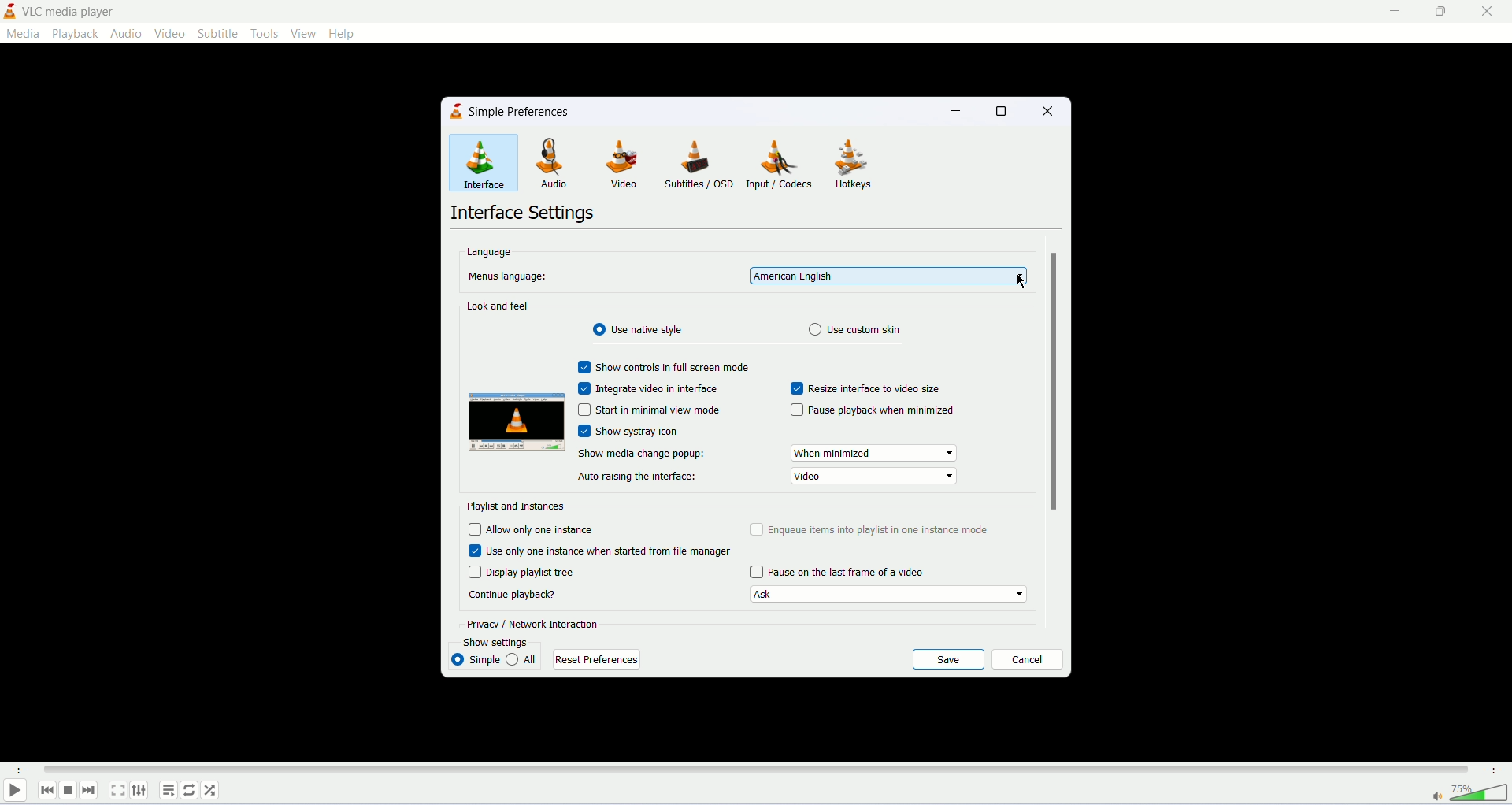 Image resolution: width=1512 pixels, height=805 pixels. I want to click on minimize, so click(1388, 15).